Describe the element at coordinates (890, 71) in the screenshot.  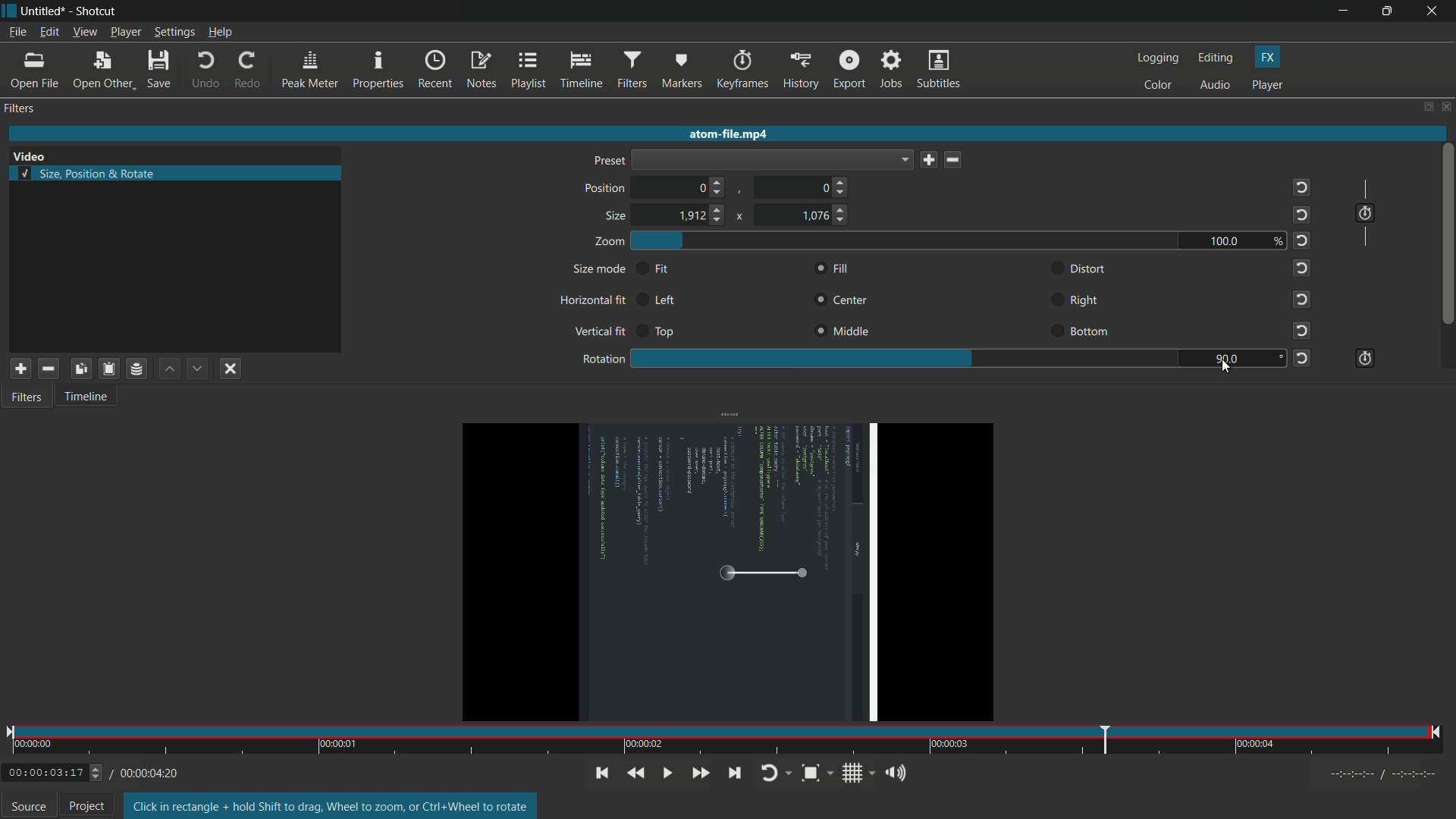
I see `jobs` at that location.